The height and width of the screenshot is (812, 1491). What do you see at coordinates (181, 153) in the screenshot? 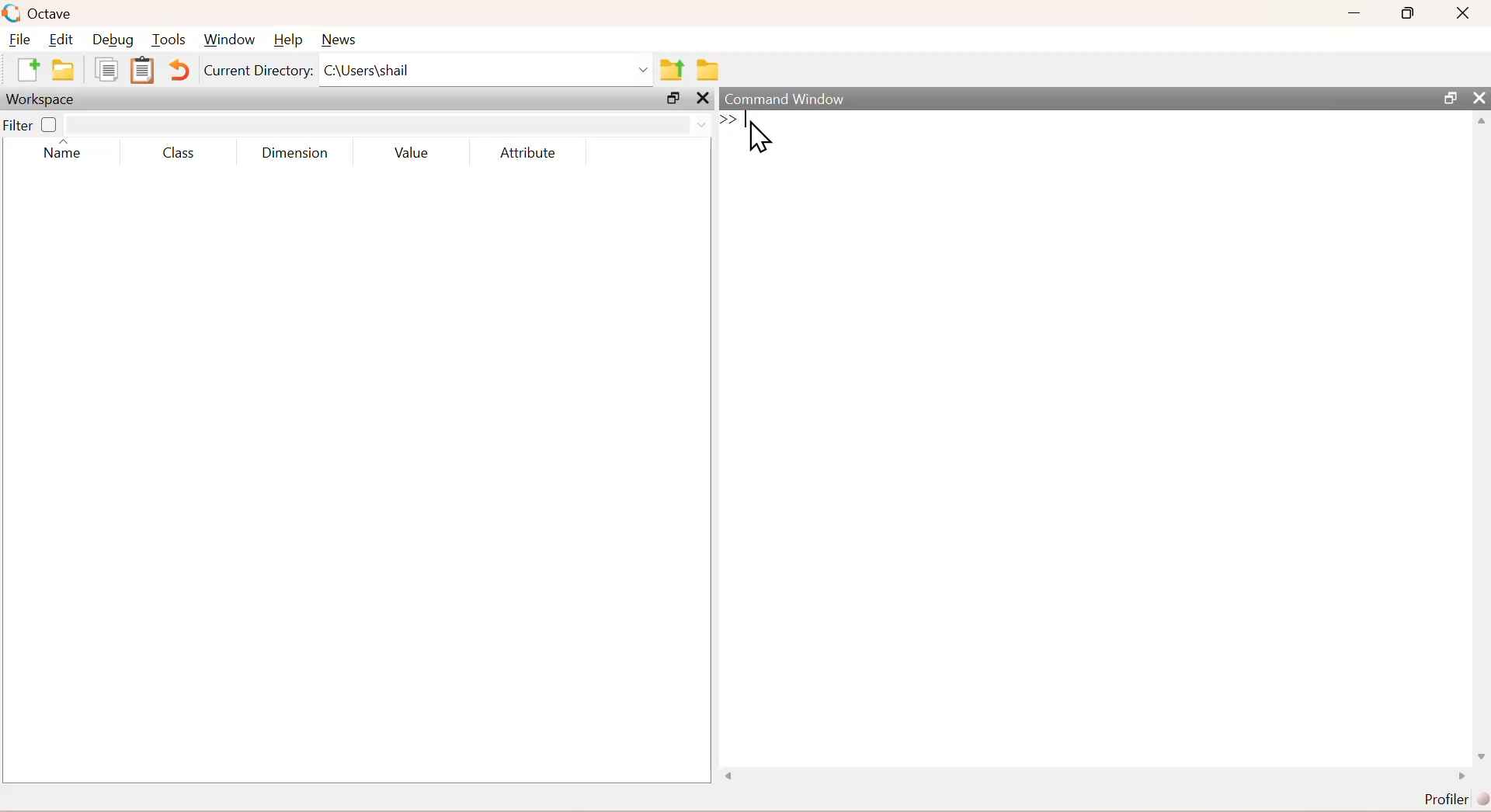
I see `Class` at bounding box center [181, 153].